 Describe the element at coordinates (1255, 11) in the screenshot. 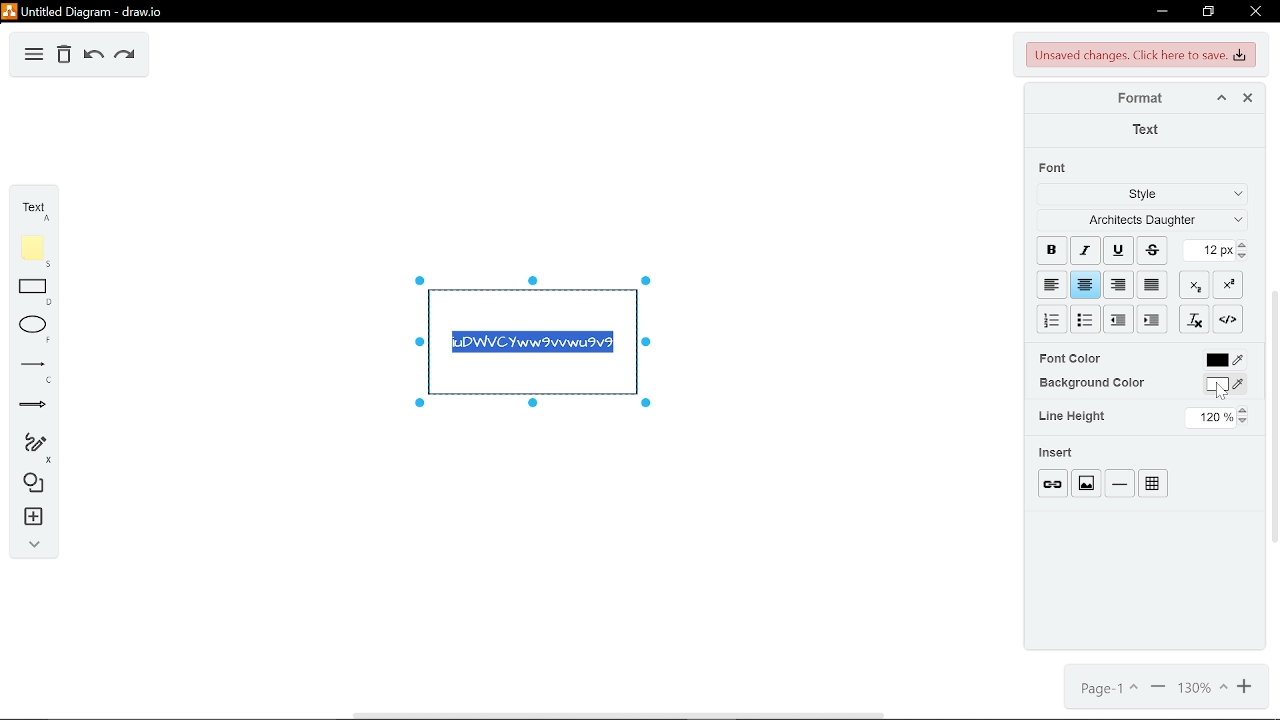

I see `close` at that location.